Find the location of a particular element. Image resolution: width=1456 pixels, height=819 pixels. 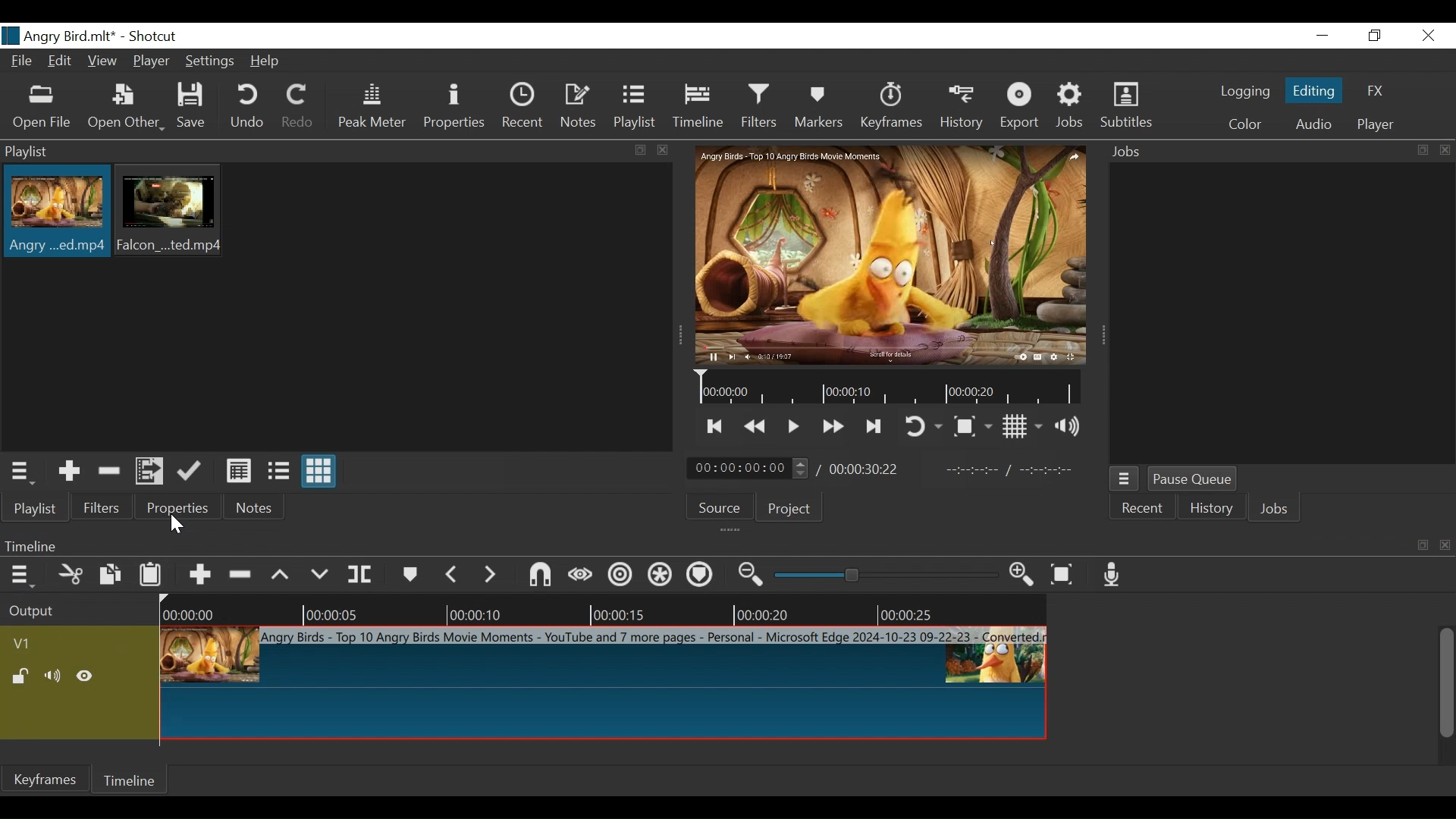

Properties is located at coordinates (454, 108).